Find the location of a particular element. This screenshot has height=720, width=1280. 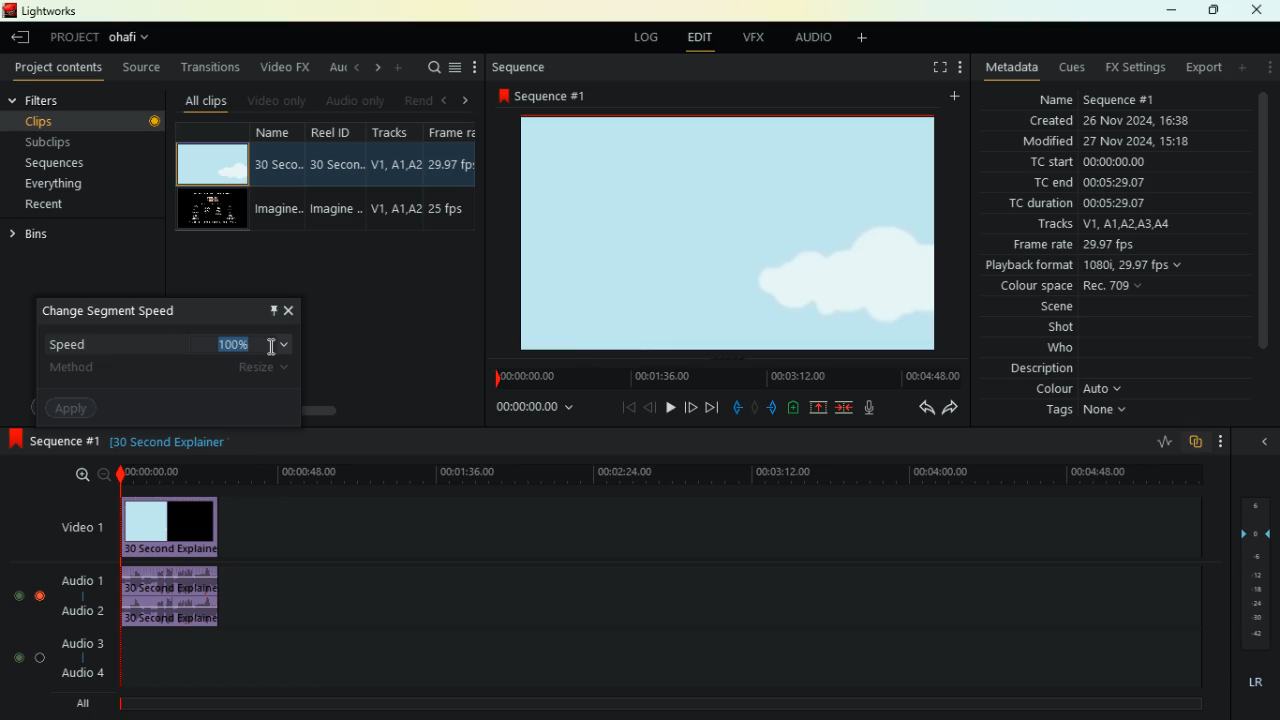

audio only is located at coordinates (356, 100).